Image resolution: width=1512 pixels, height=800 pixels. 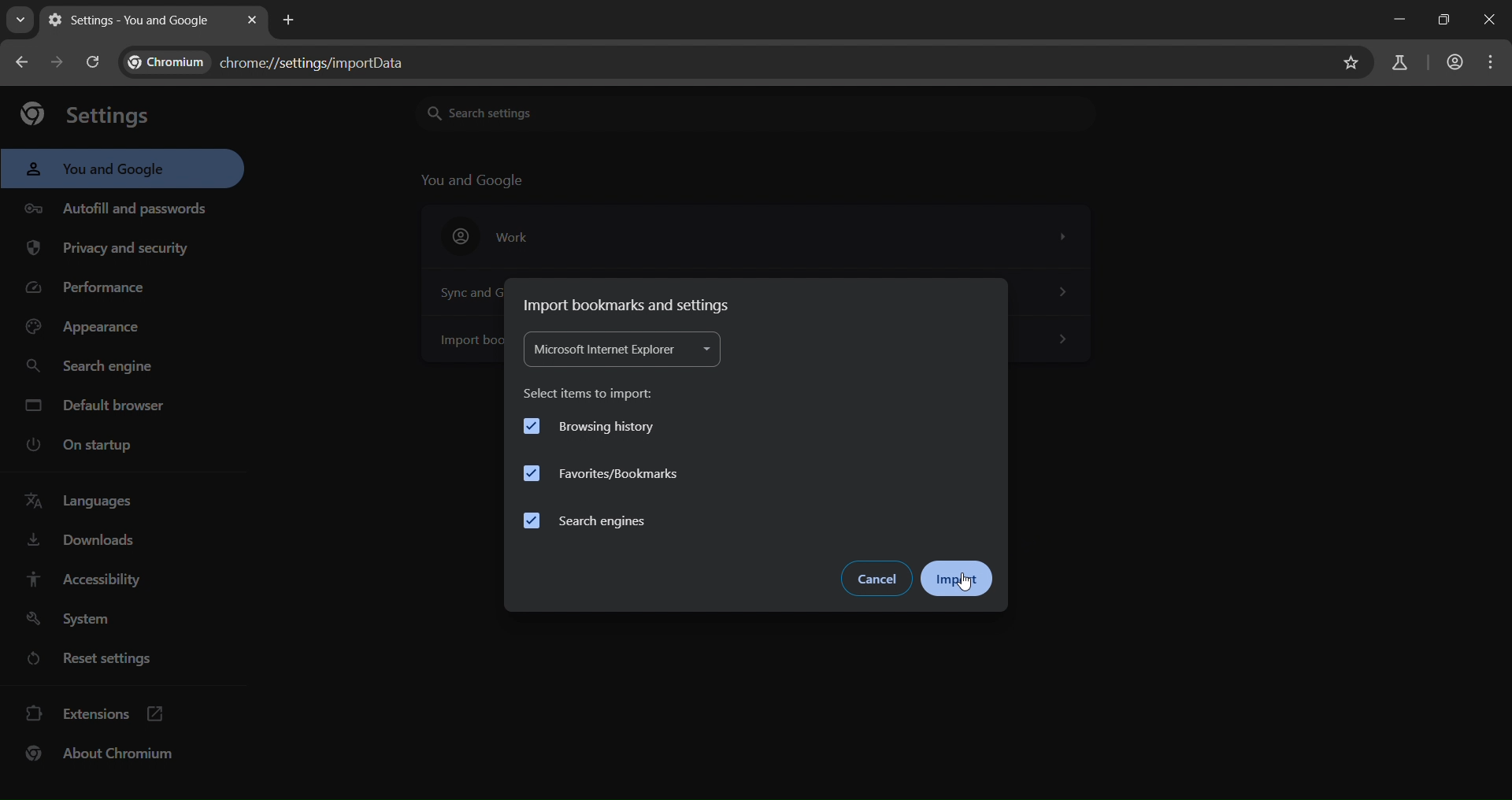 I want to click on close tab, so click(x=254, y=20).